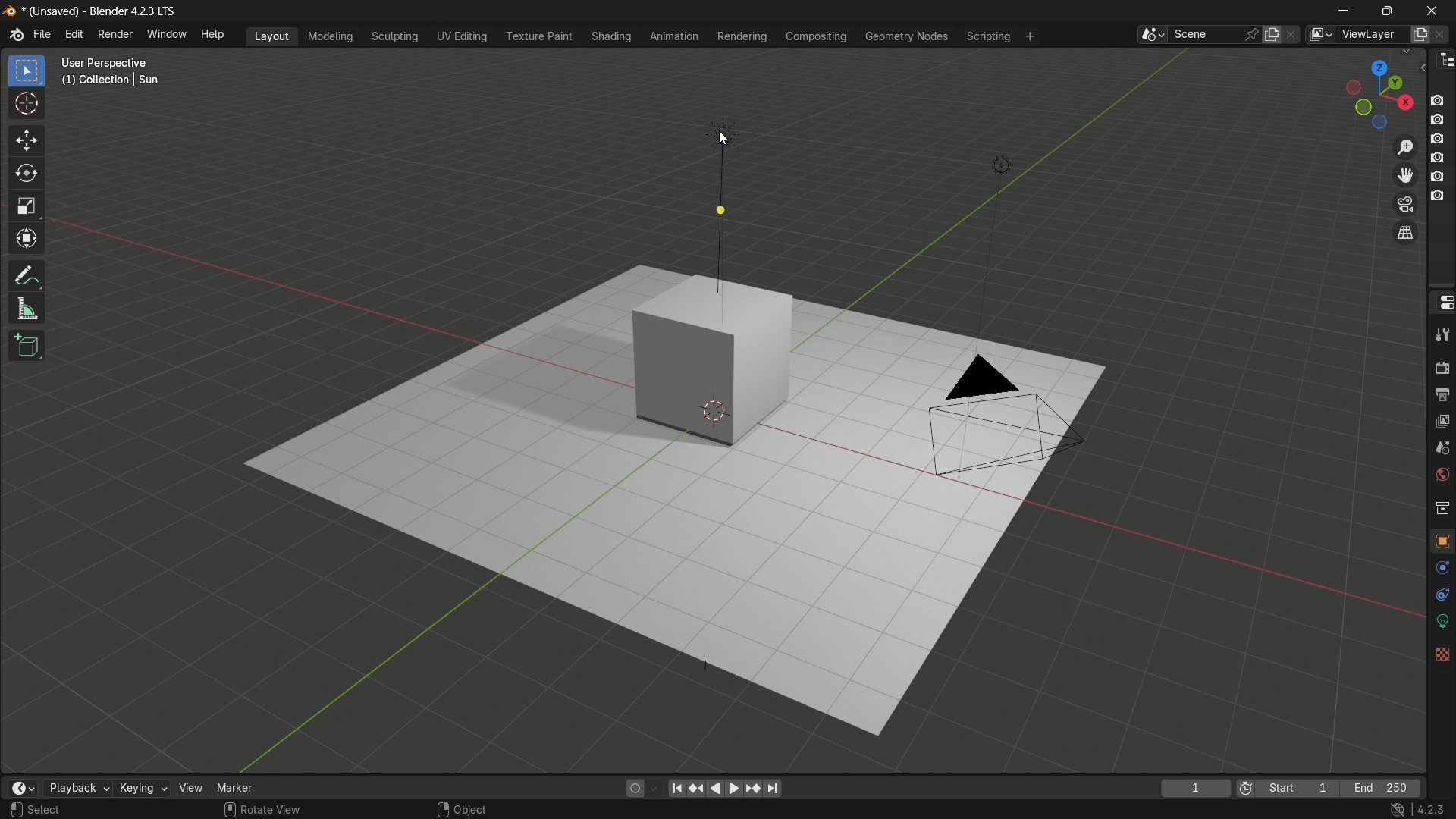  What do you see at coordinates (42, 34) in the screenshot?
I see `file menu` at bounding box center [42, 34].